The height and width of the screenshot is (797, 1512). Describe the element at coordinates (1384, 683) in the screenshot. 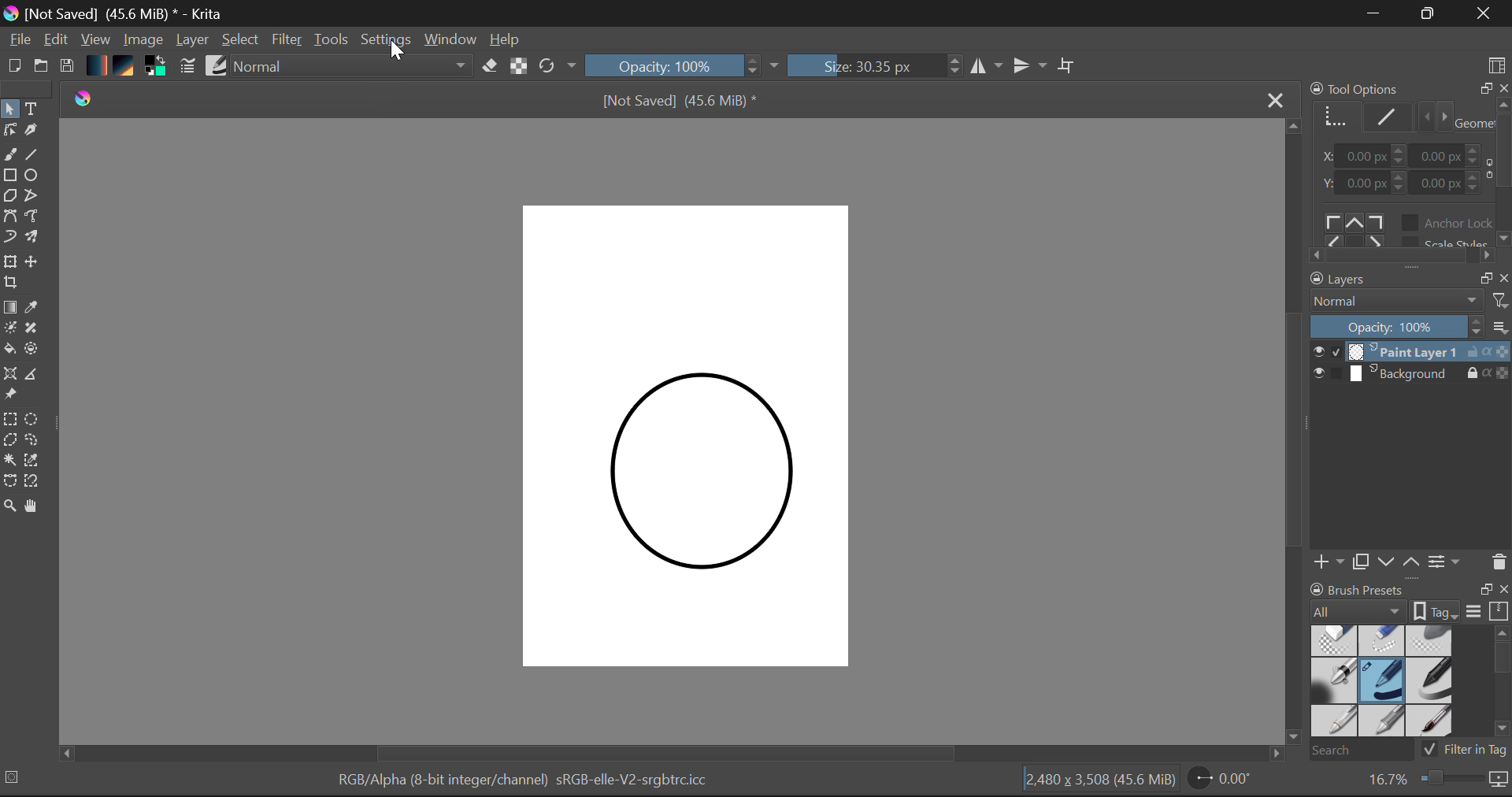

I see `Brush Presets` at that location.